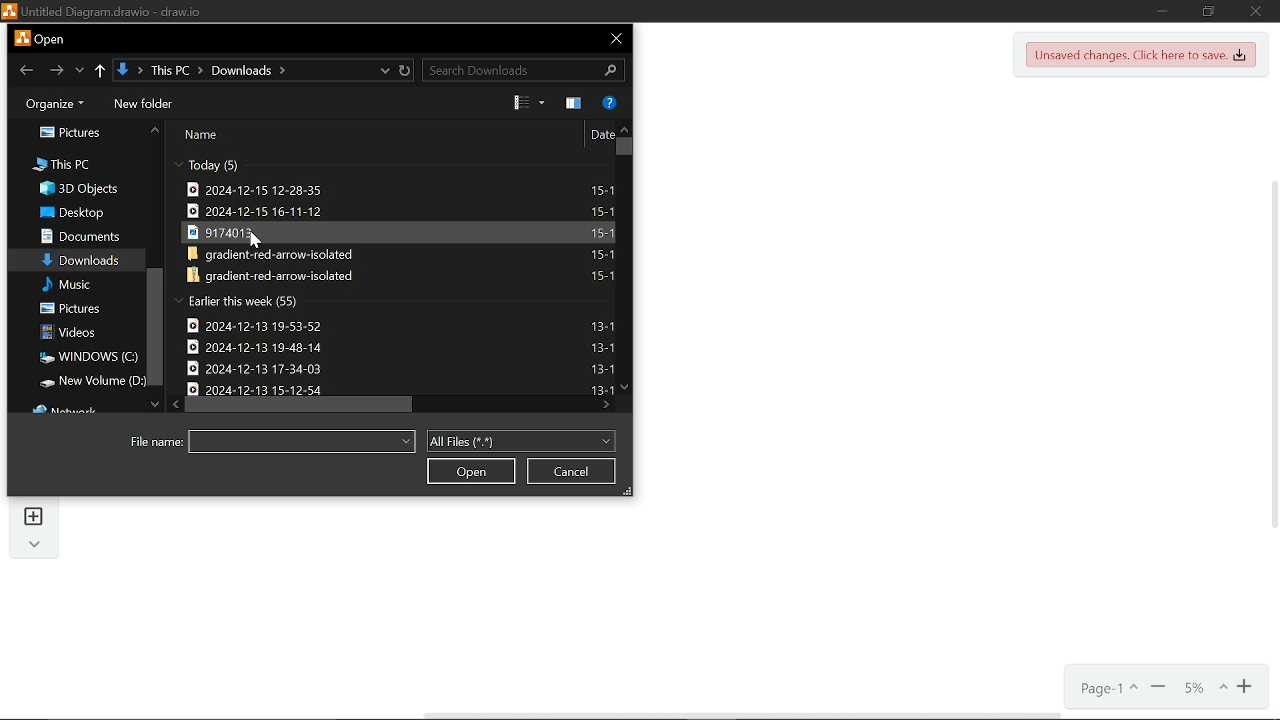 This screenshot has height=720, width=1280. What do you see at coordinates (151, 104) in the screenshot?
I see `New folder` at bounding box center [151, 104].